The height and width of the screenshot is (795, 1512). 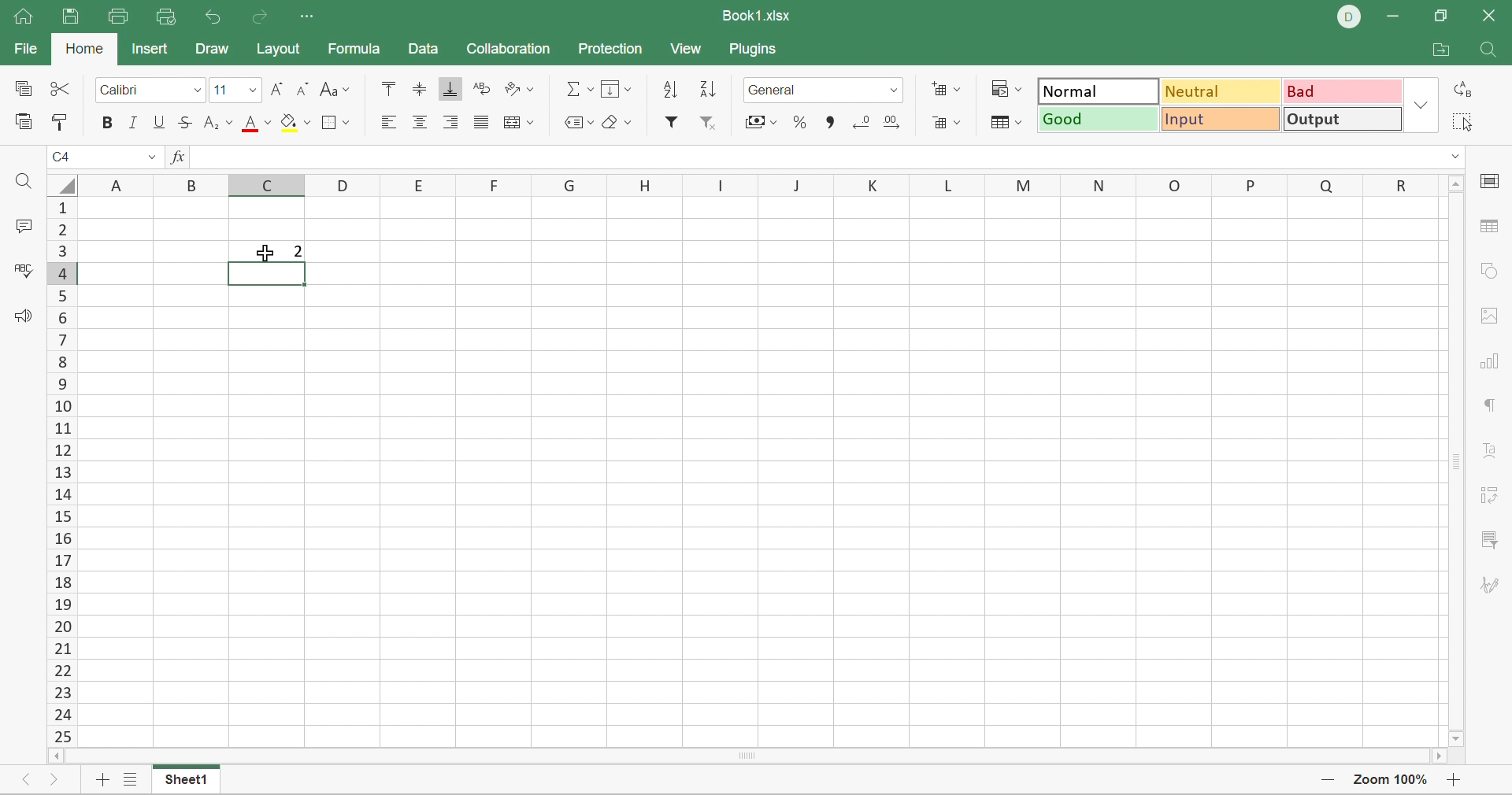 What do you see at coordinates (108, 123) in the screenshot?
I see `Bold` at bounding box center [108, 123].